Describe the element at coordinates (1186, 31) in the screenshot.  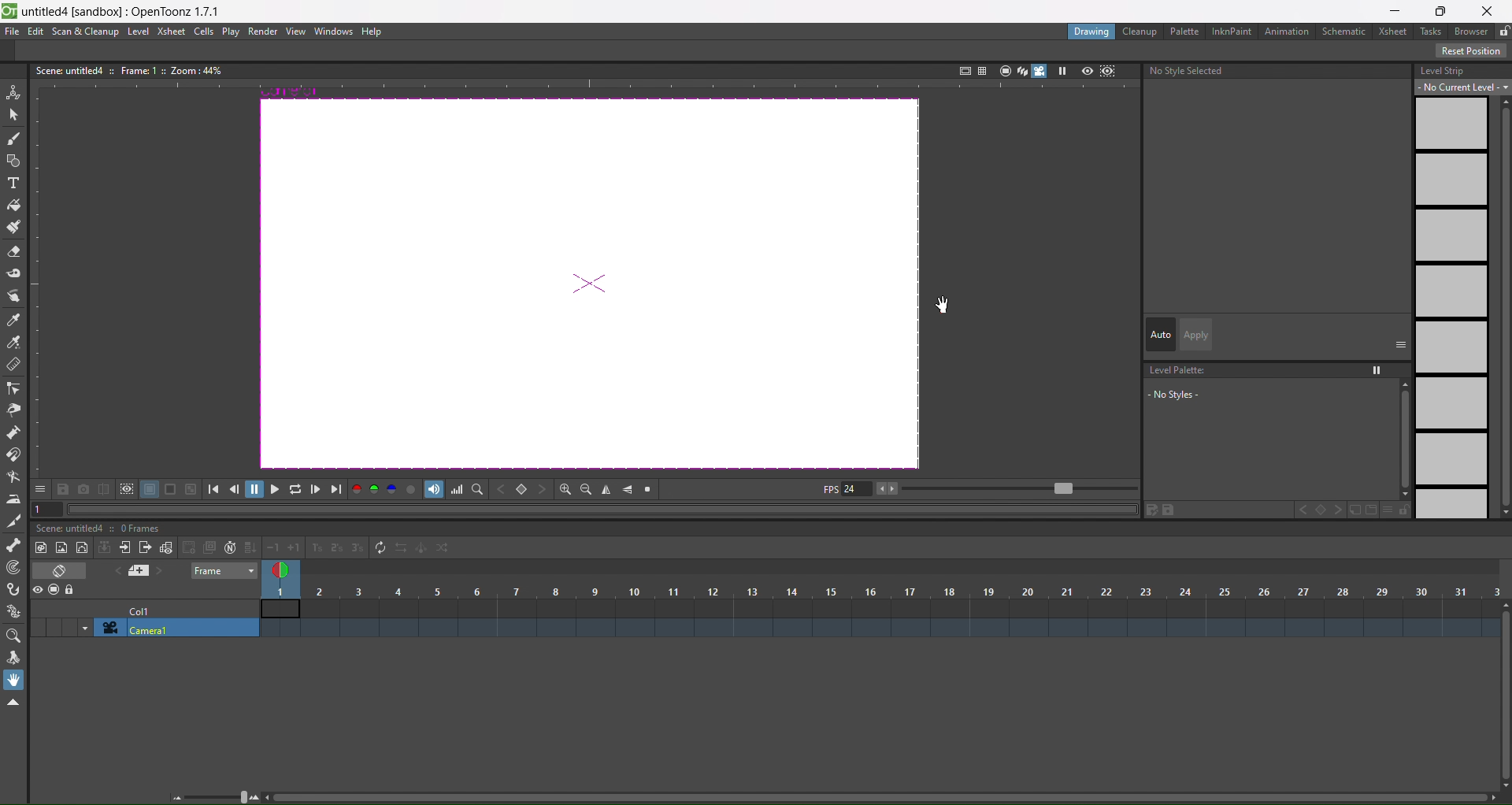
I see `palette` at that location.